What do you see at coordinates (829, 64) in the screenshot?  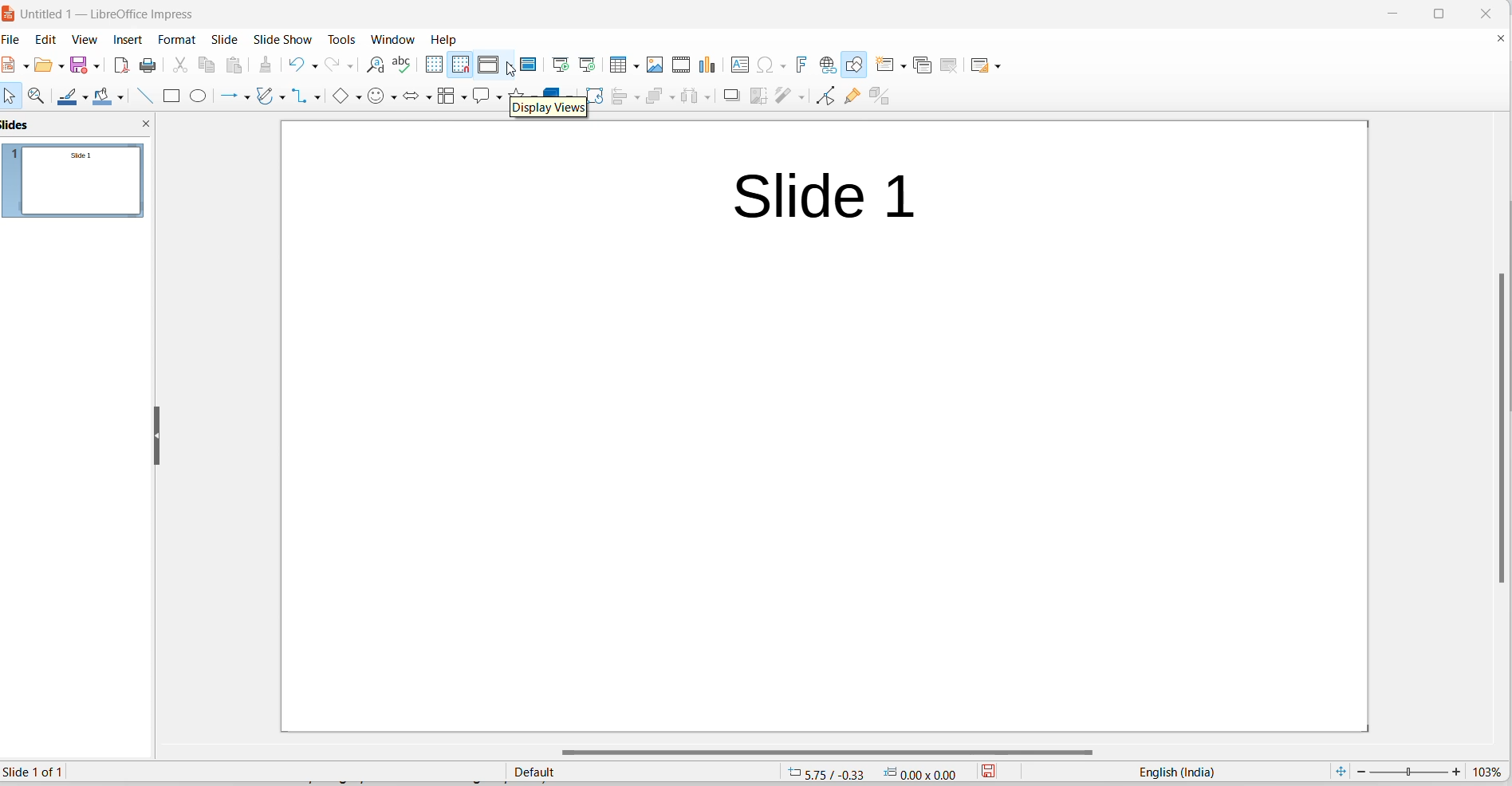 I see `insert hyperlinks` at bounding box center [829, 64].